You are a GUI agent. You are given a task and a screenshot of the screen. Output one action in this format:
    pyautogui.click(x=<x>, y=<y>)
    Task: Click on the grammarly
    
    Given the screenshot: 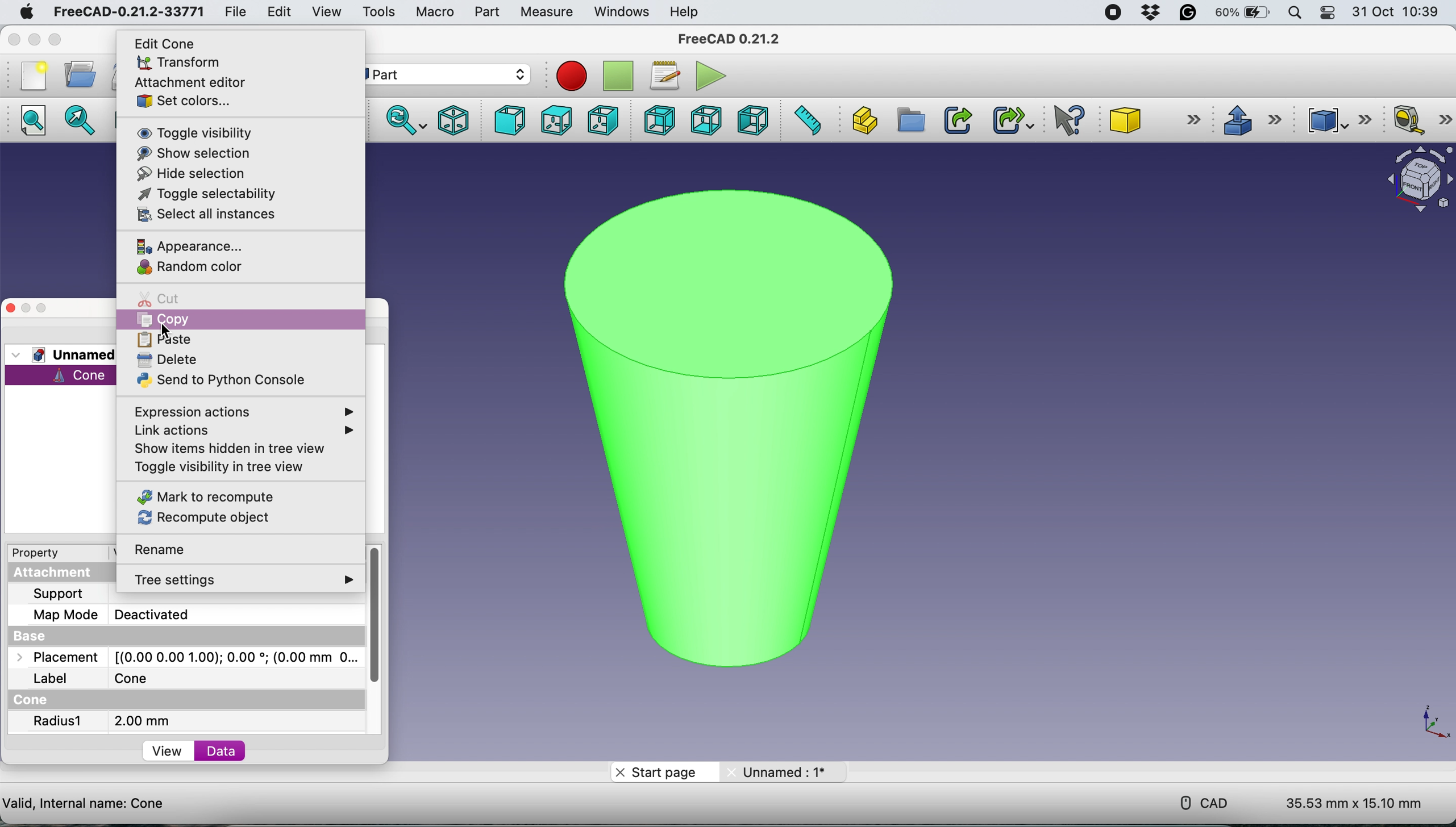 What is the action you would take?
    pyautogui.click(x=1189, y=15)
    